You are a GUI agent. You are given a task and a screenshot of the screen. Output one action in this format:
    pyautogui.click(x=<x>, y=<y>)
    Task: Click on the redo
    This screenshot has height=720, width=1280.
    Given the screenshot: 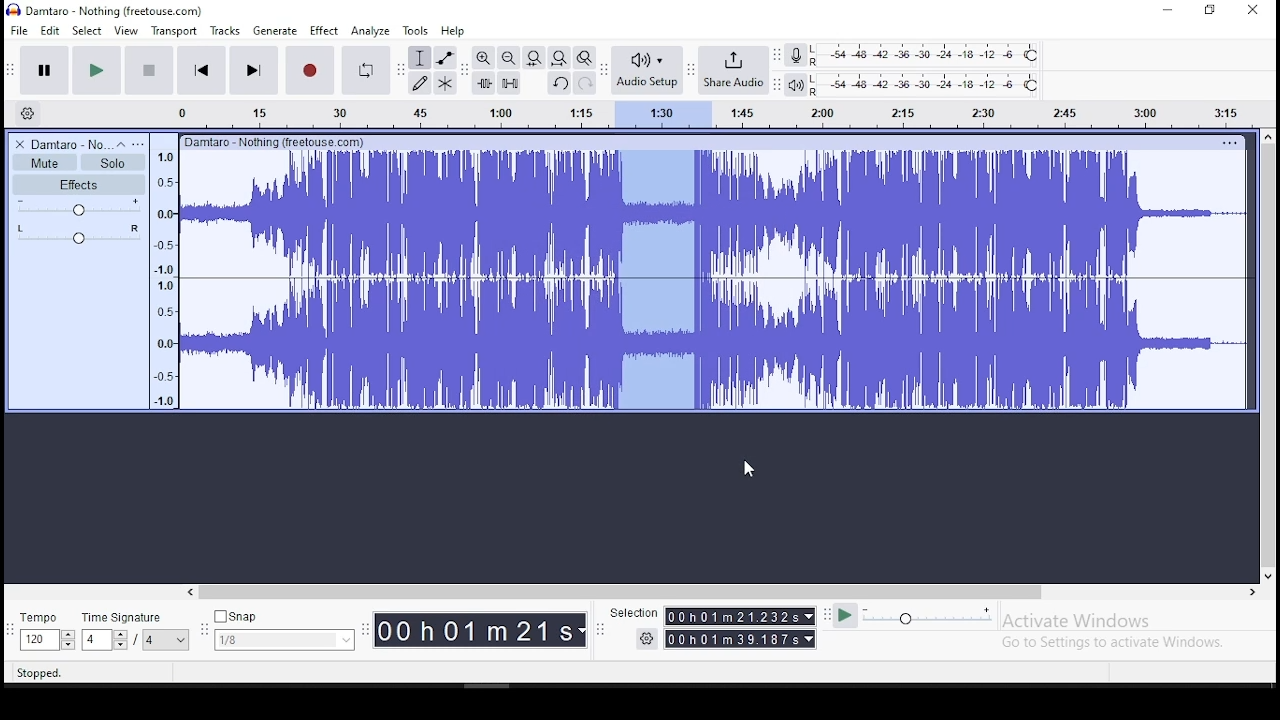 What is the action you would take?
    pyautogui.click(x=585, y=82)
    